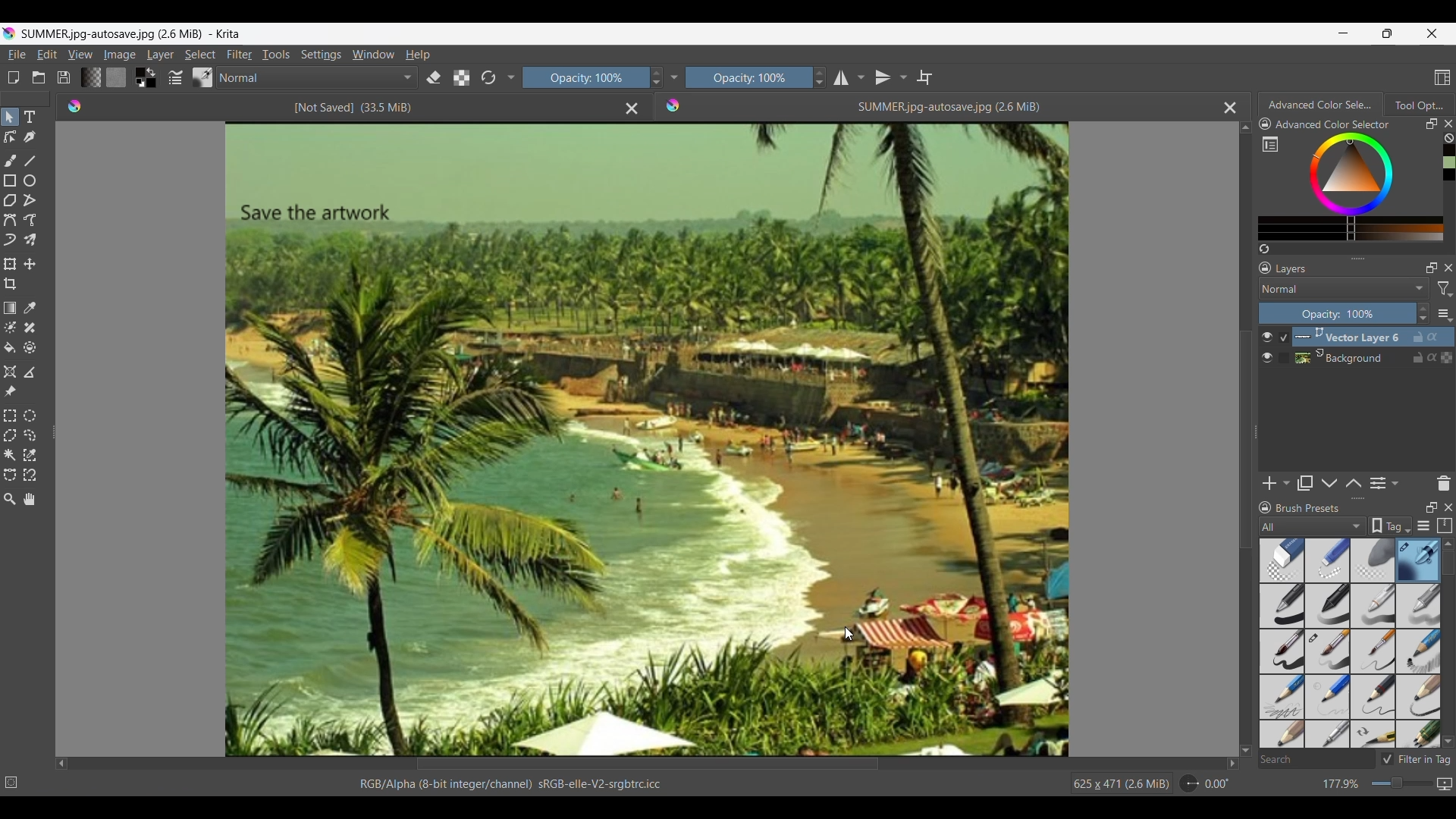  Describe the element at coordinates (1345, 288) in the screenshot. I see `Mode options` at that location.